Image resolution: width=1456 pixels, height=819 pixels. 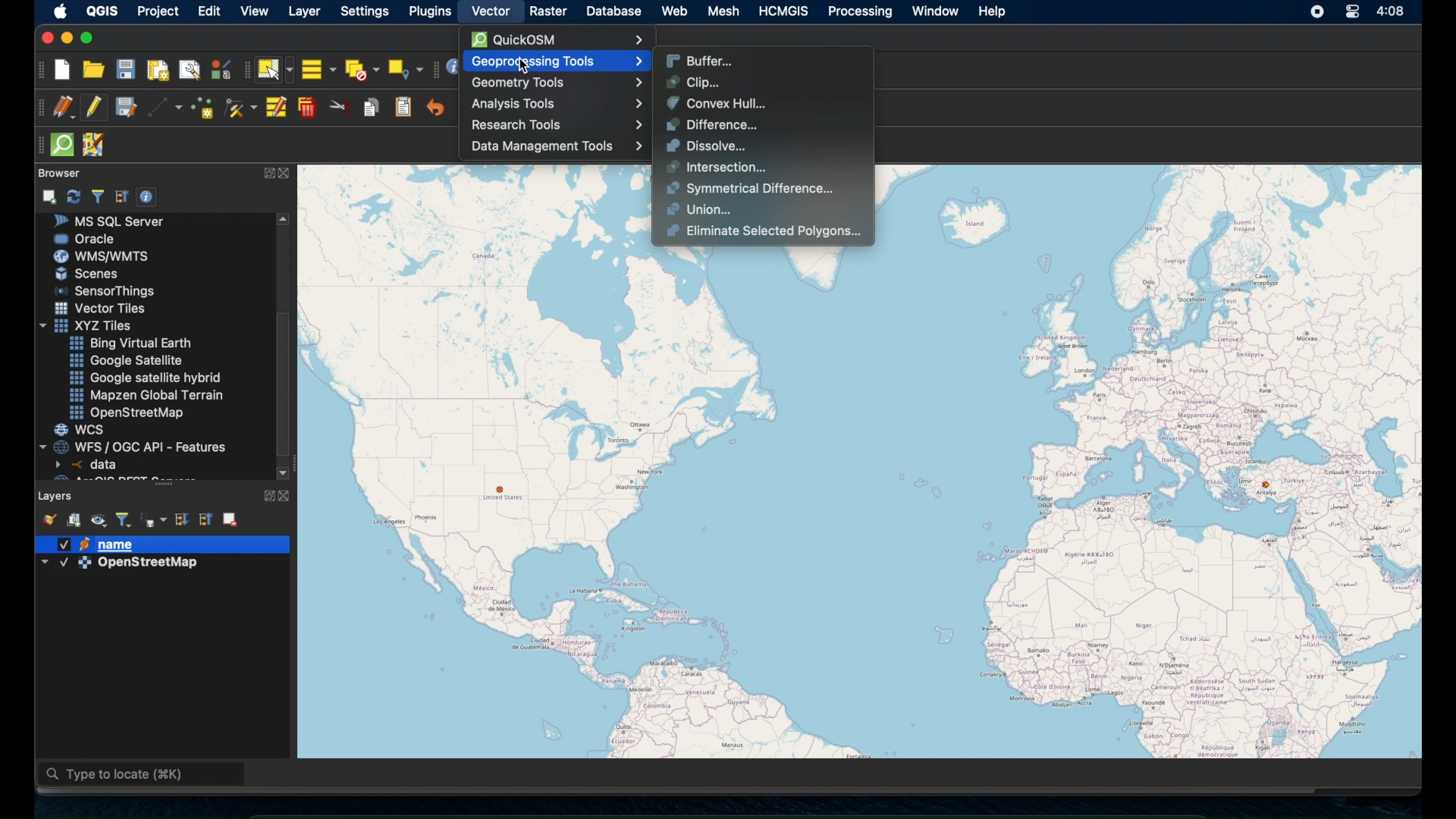 What do you see at coordinates (712, 167) in the screenshot?
I see `Intersection...` at bounding box center [712, 167].